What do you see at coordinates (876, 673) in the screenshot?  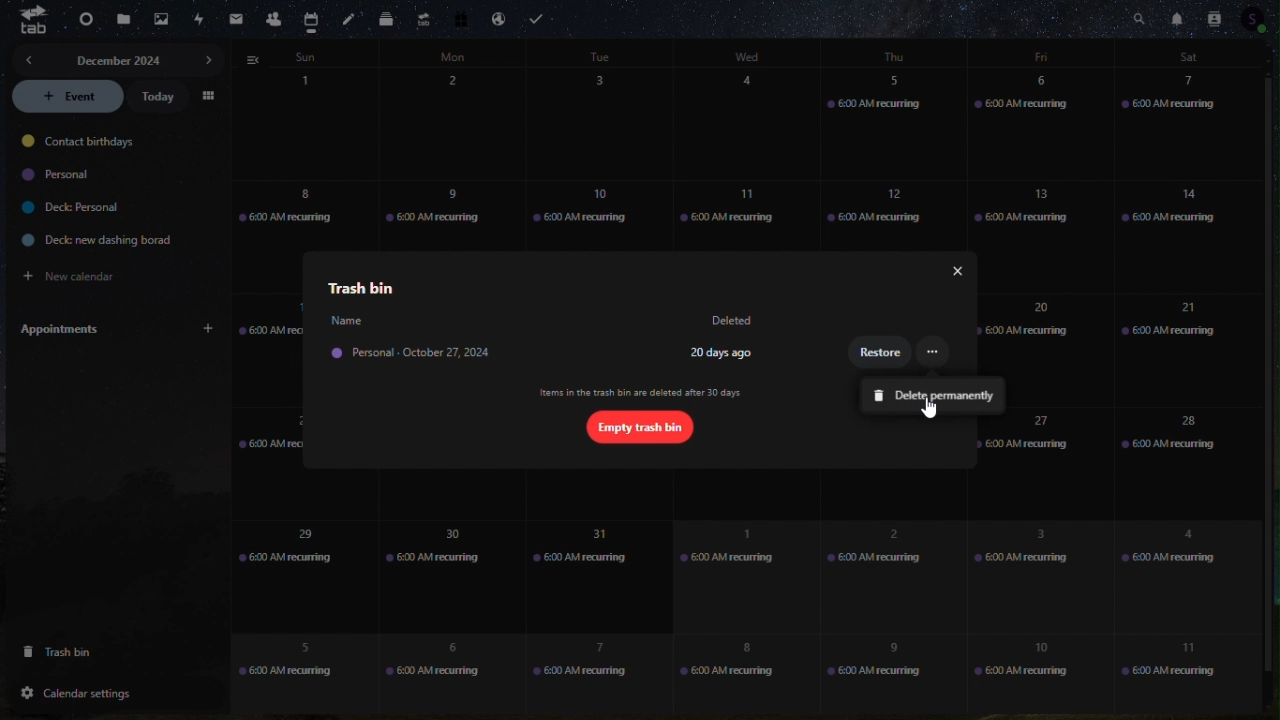 I see `9` at bounding box center [876, 673].